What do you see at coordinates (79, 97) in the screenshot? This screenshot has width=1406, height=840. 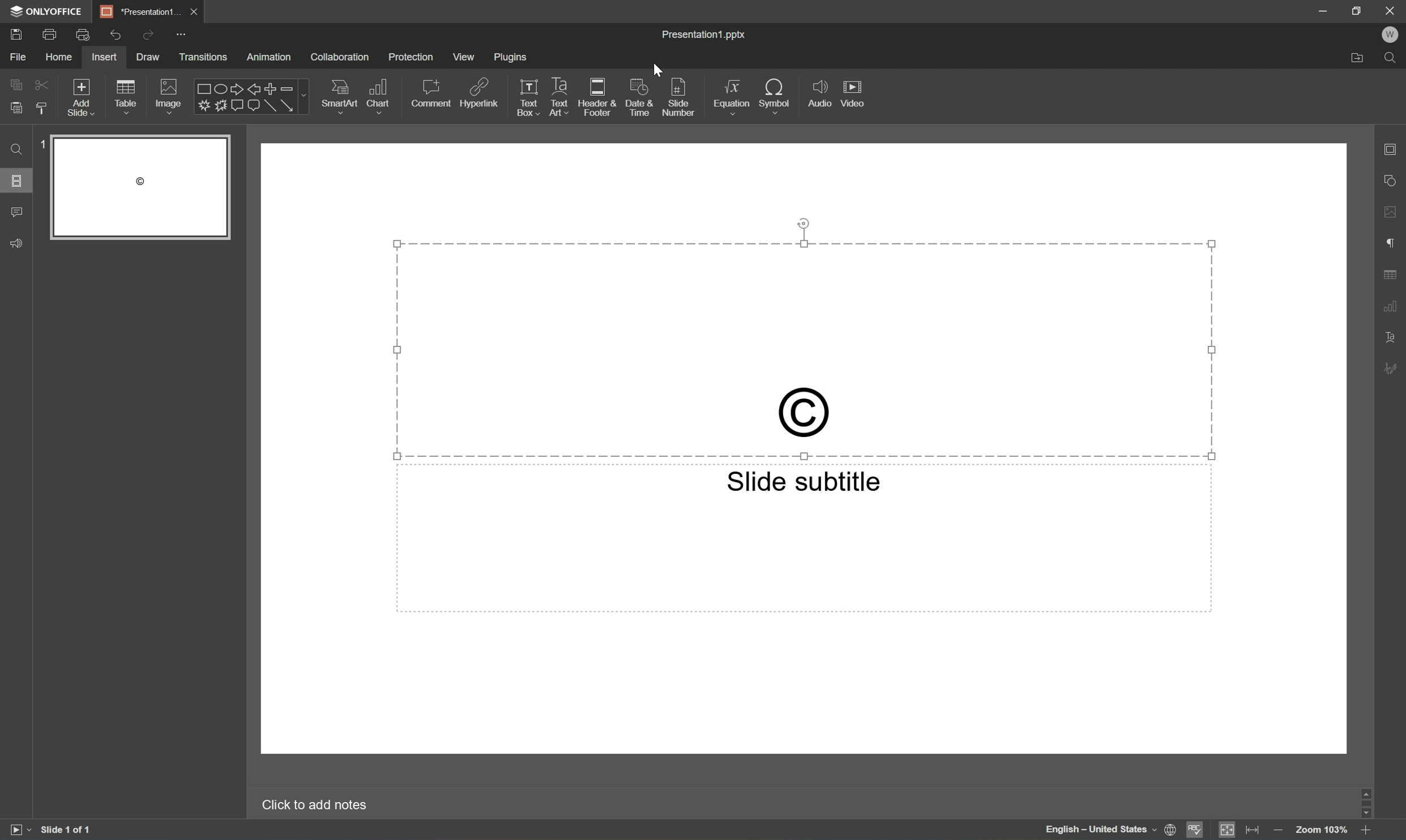 I see `Add slide` at bounding box center [79, 97].